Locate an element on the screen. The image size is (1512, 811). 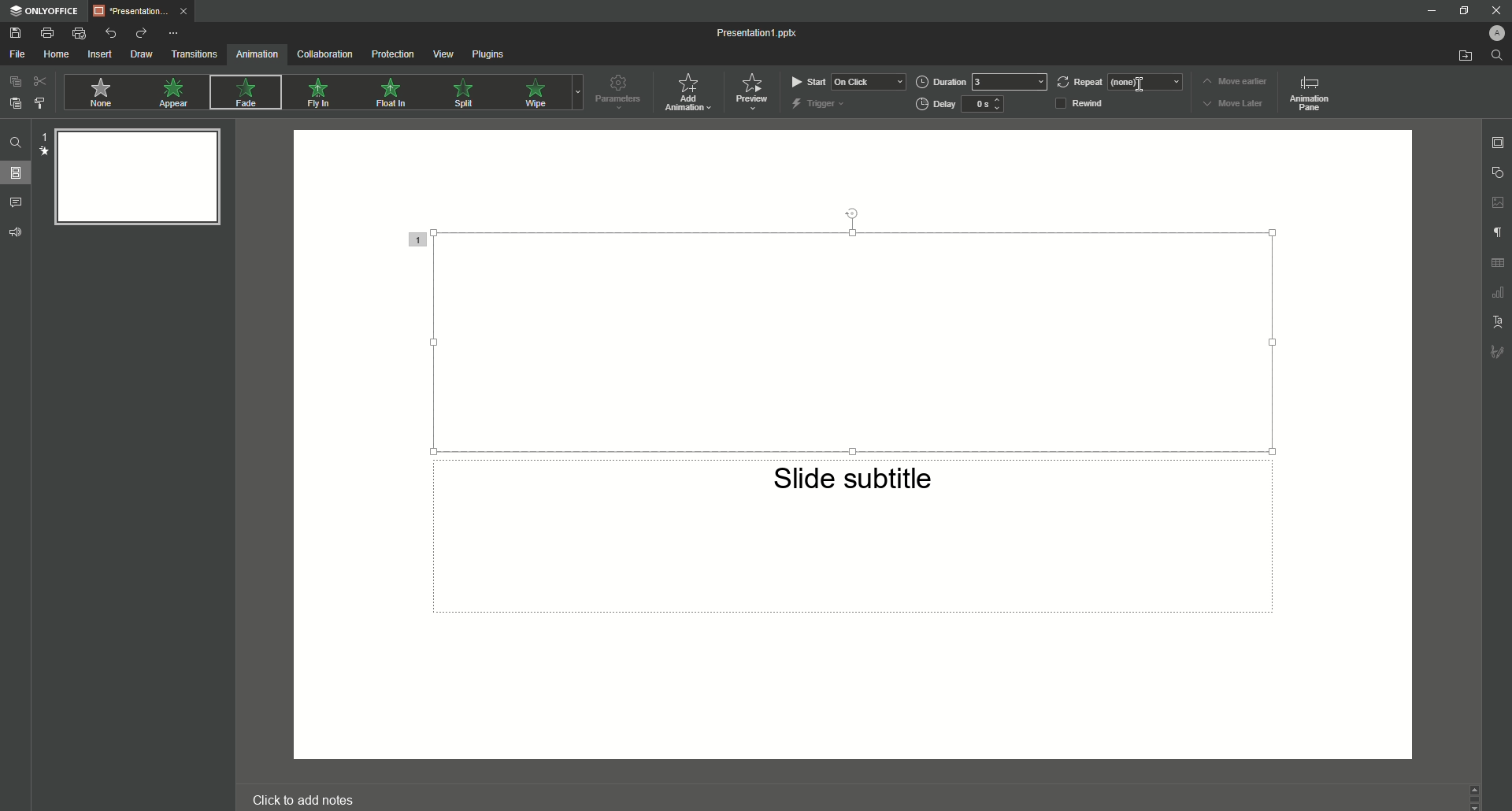
Print is located at coordinates (48, 32).